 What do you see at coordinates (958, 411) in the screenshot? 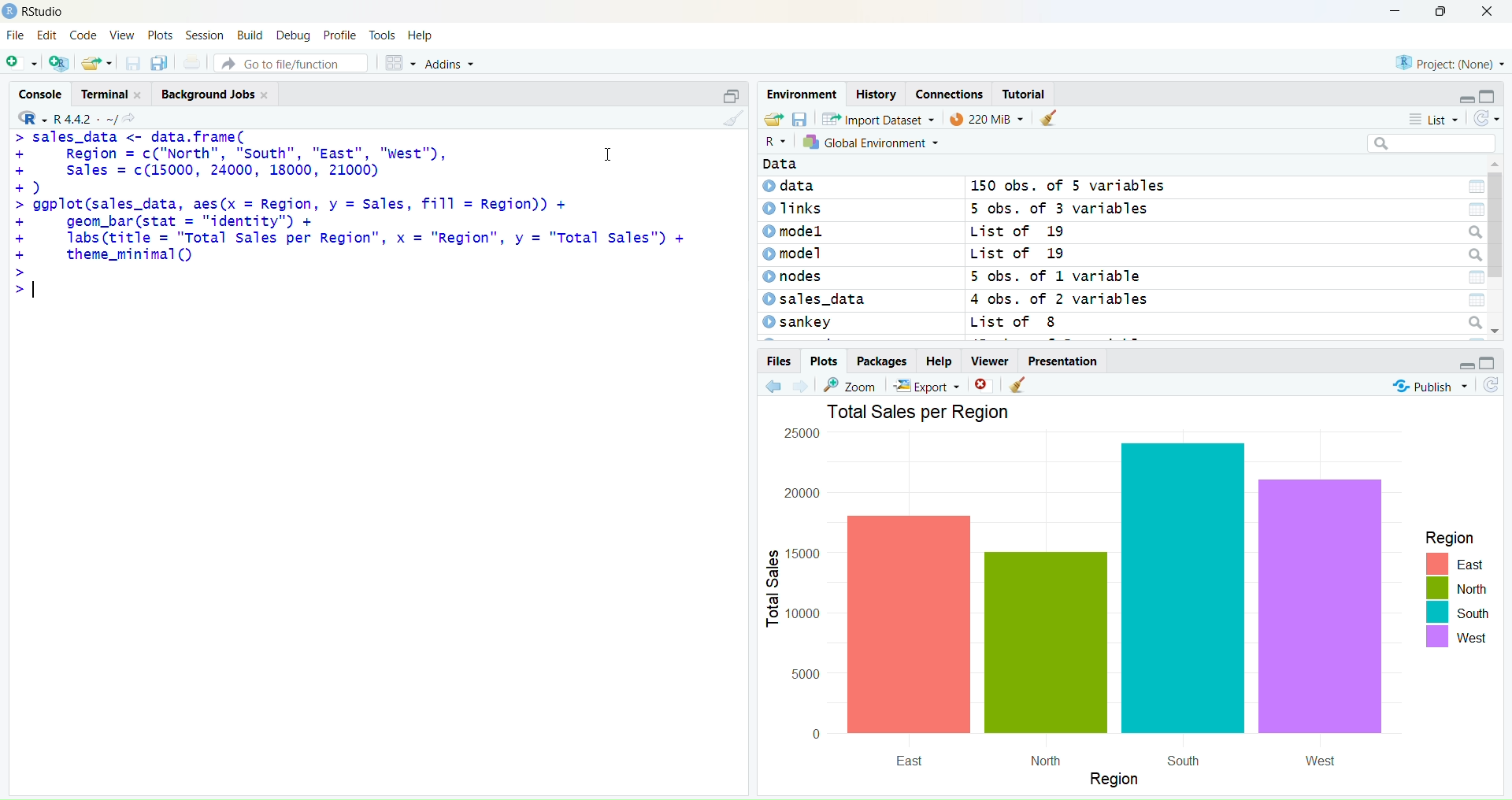
I see `Total Sales per Region` at bounding box center [958, 411].